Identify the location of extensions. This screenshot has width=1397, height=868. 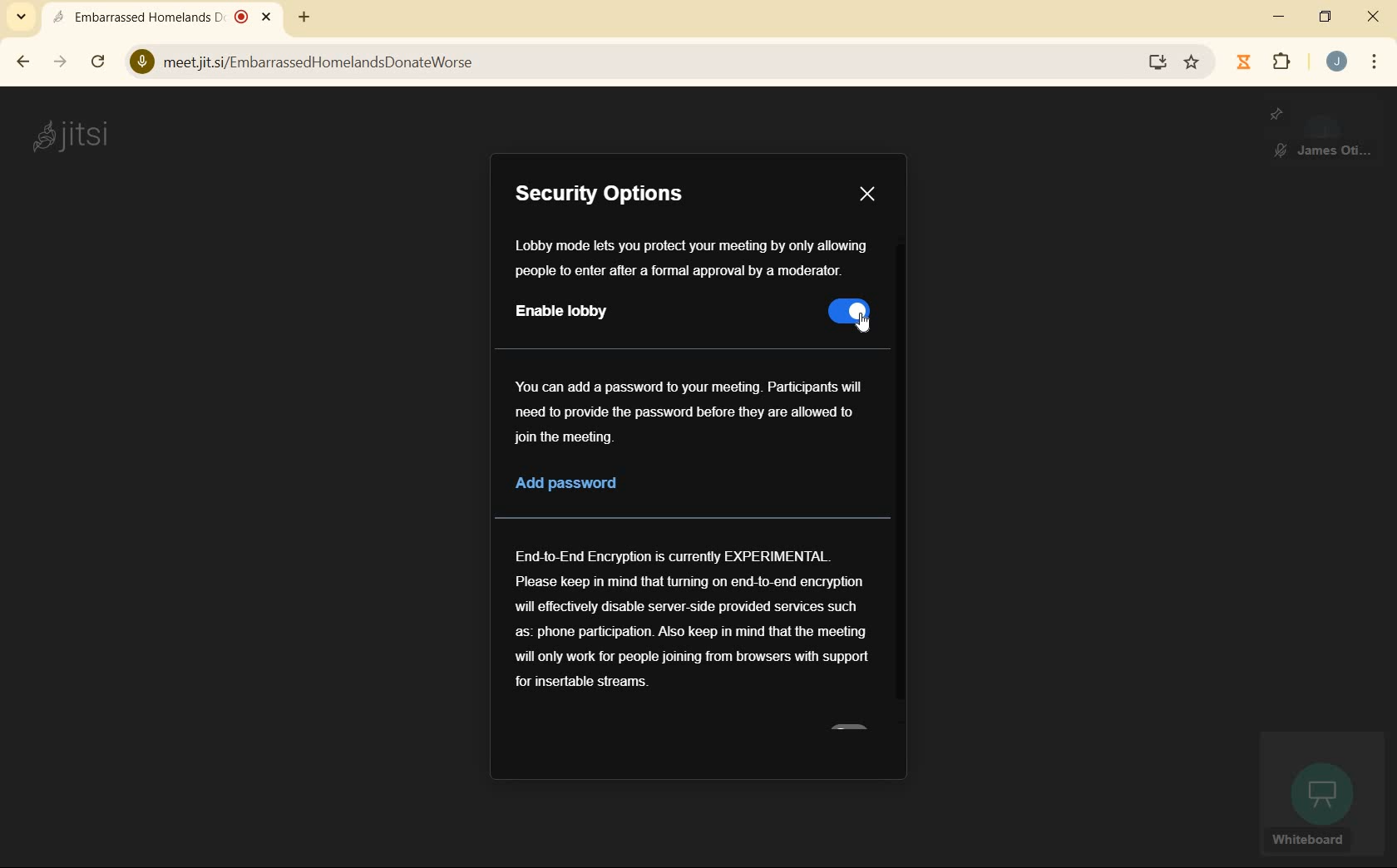
(1281, 63).